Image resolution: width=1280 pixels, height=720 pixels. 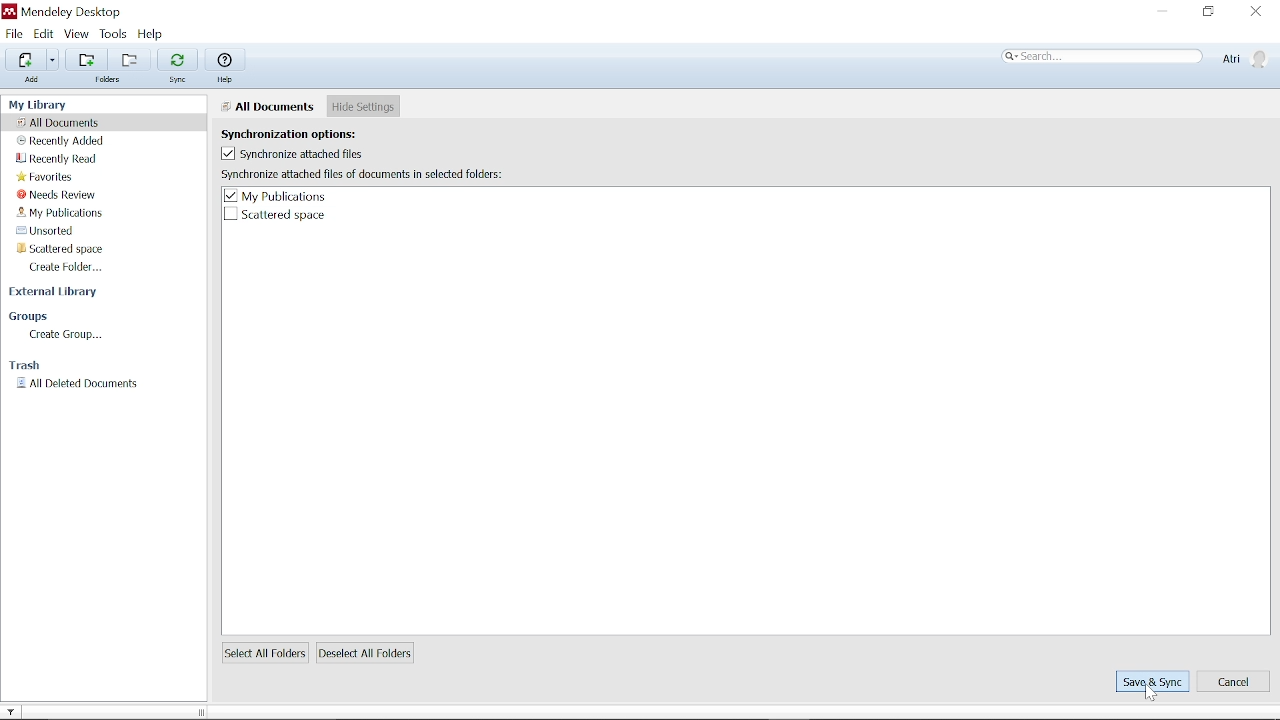 What do you see at coordinates (76, 383) in the screenshot?
I see `All deleted documents` at bounding box center [76, 383].